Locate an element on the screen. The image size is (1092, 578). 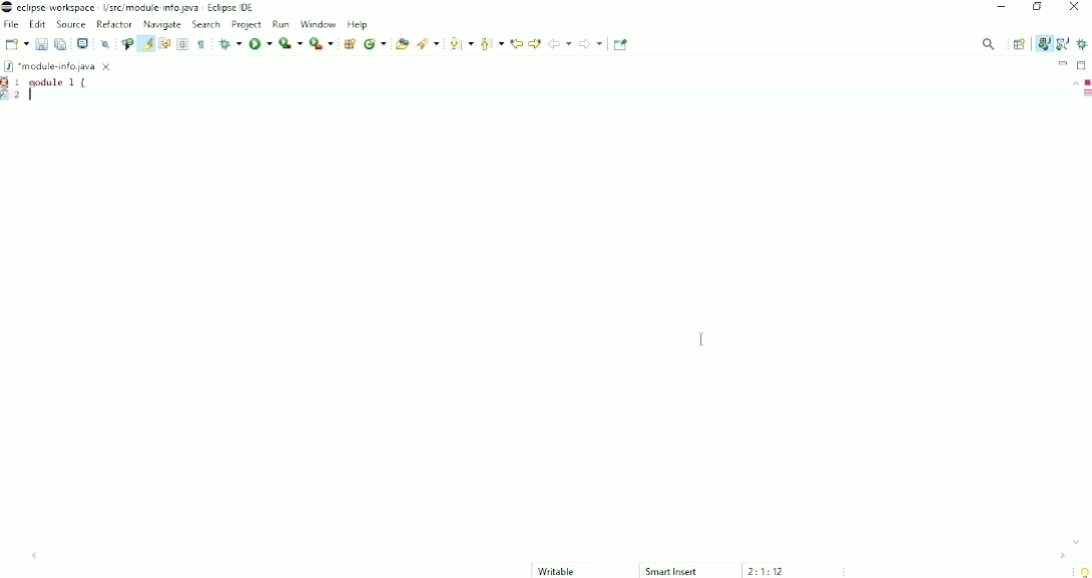
Cursor is located at coordinates (704, 339).